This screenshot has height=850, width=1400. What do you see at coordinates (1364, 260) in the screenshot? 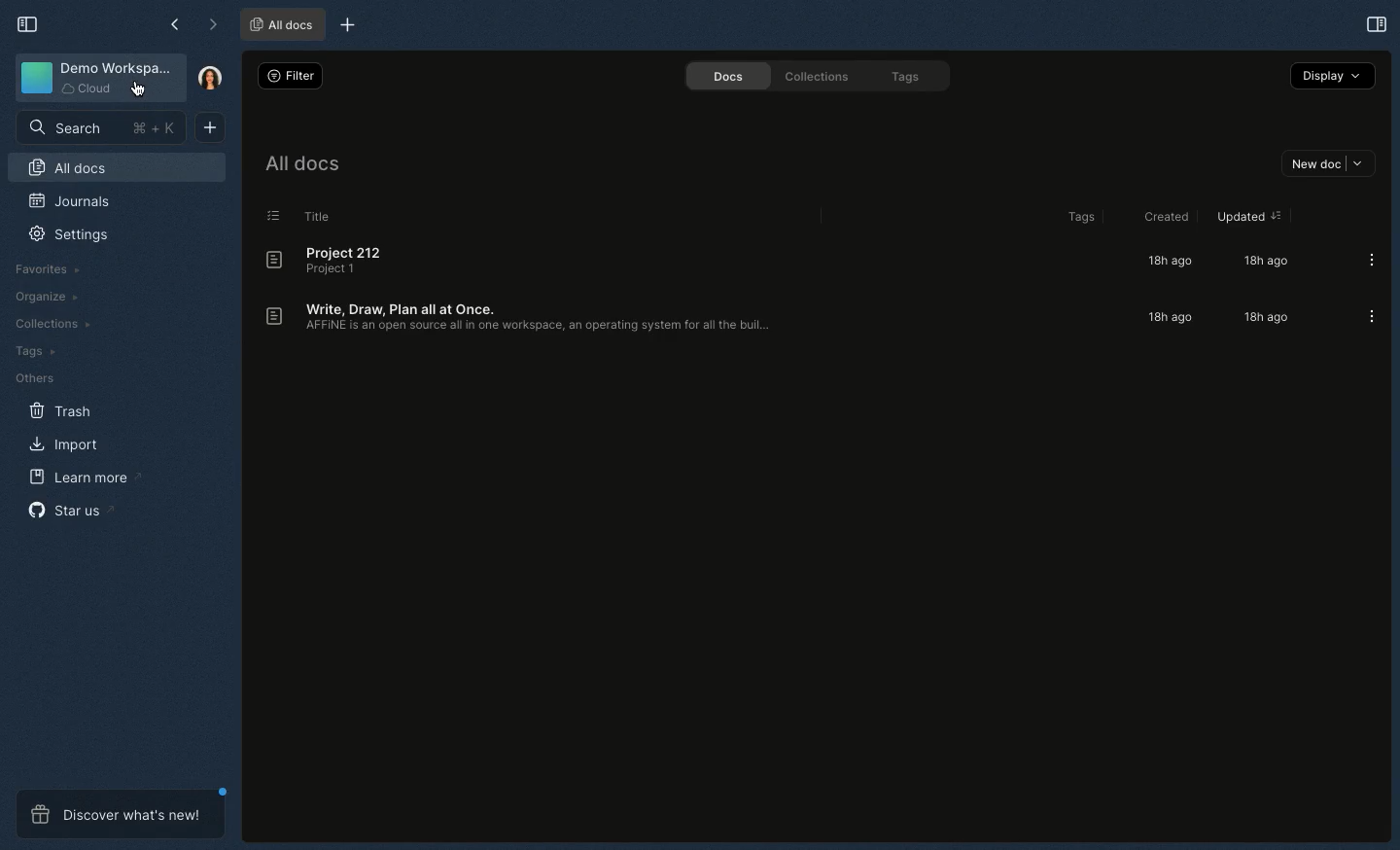
I see `Options` at bounding box center [1364, 260].